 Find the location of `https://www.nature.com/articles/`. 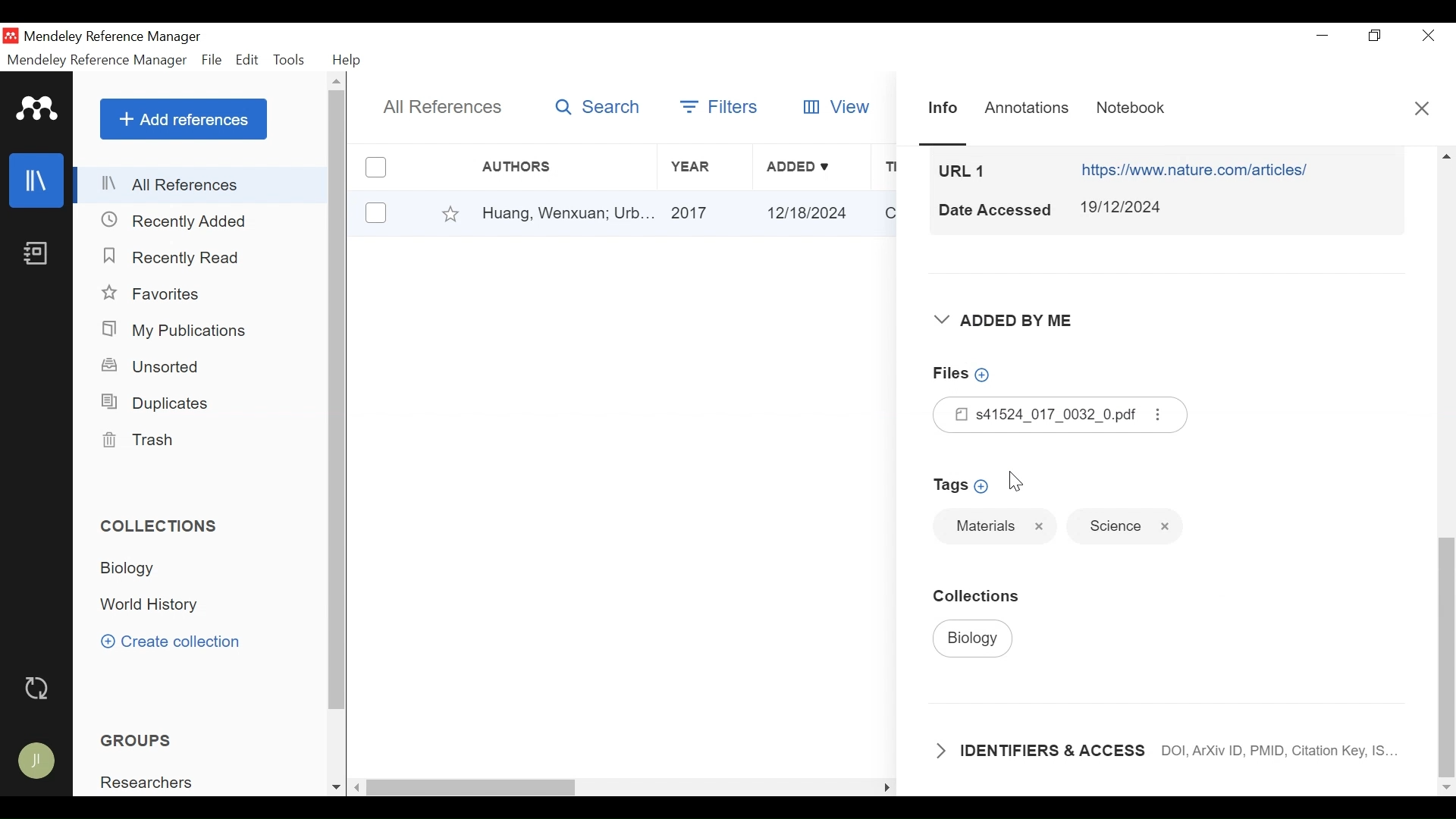

https://www.nature.com/articles/ is located at coordinates (1198, 170).